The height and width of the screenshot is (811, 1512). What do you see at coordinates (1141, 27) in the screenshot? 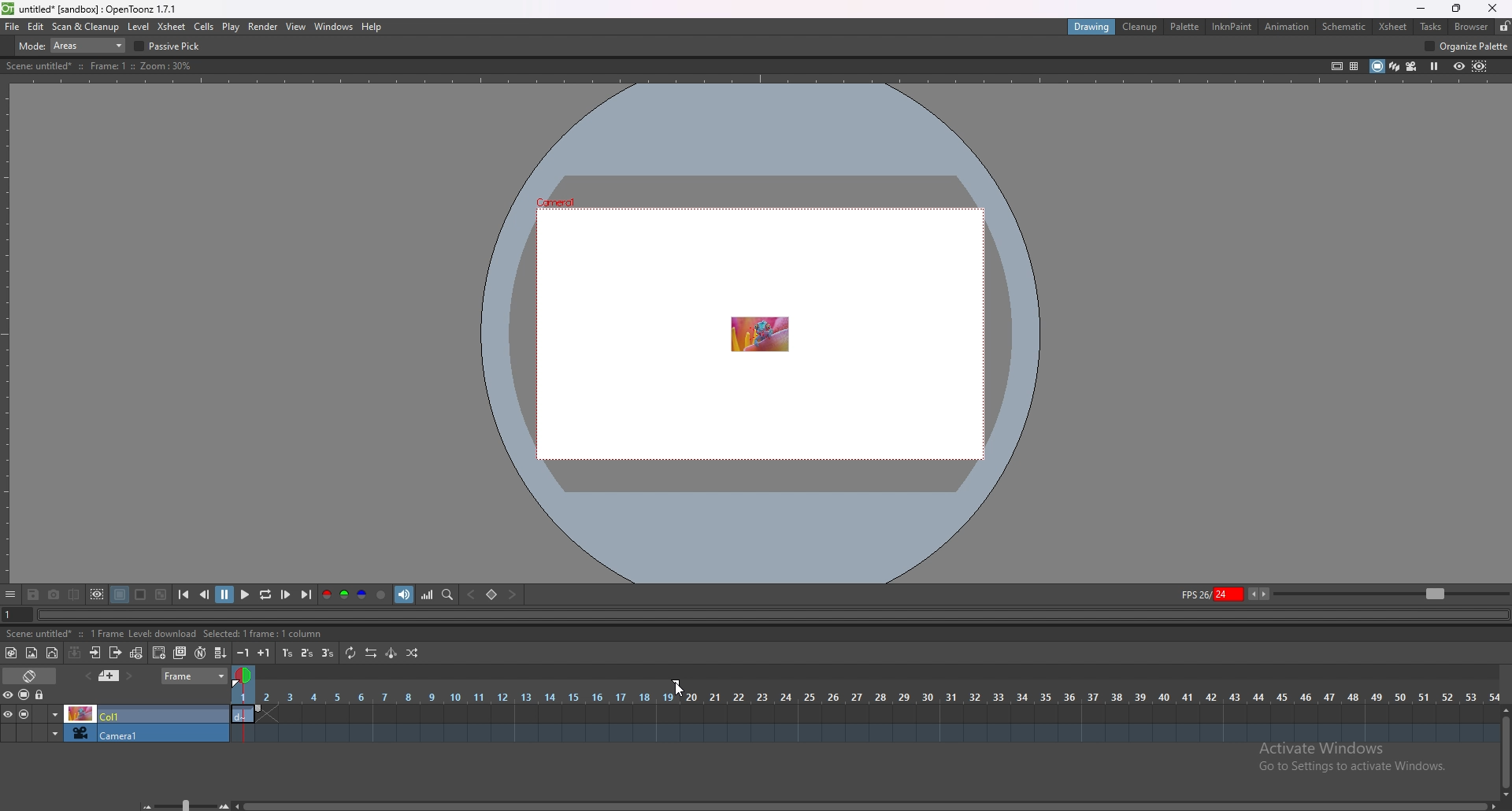
I see `cleanup` at bounding box center [1141, 27].